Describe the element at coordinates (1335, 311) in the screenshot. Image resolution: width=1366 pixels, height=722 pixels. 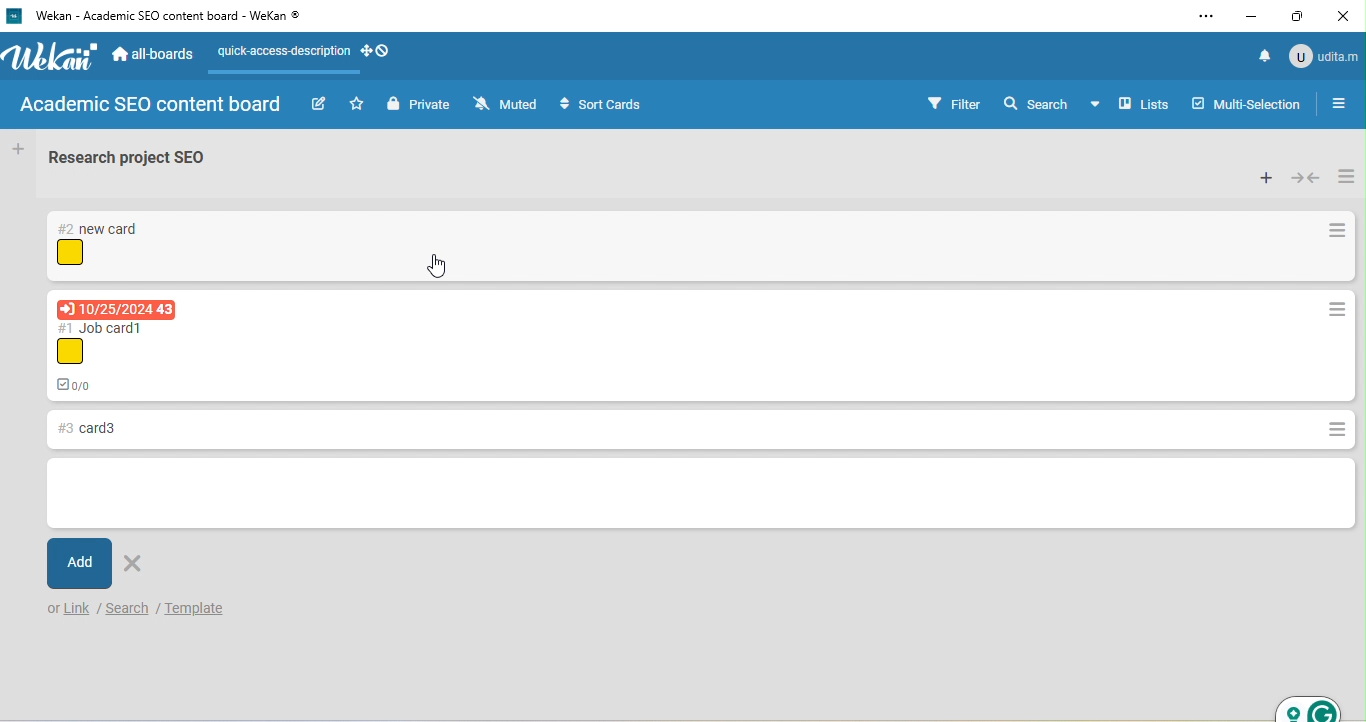
I see `card actions` at that location.